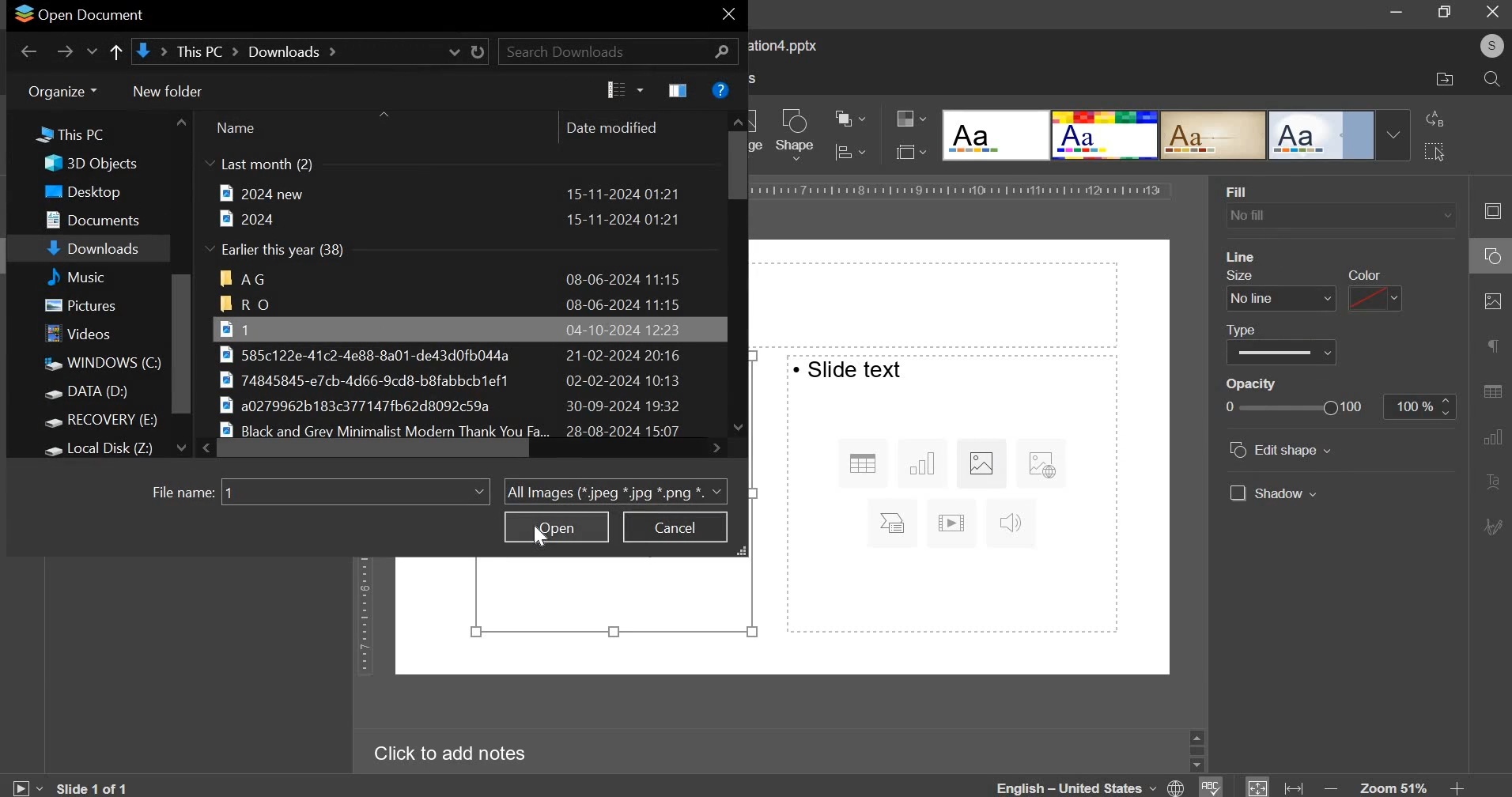  Describe the element at coordinates (1491, 436) in the screenshot. I see `graph setting` at that location.